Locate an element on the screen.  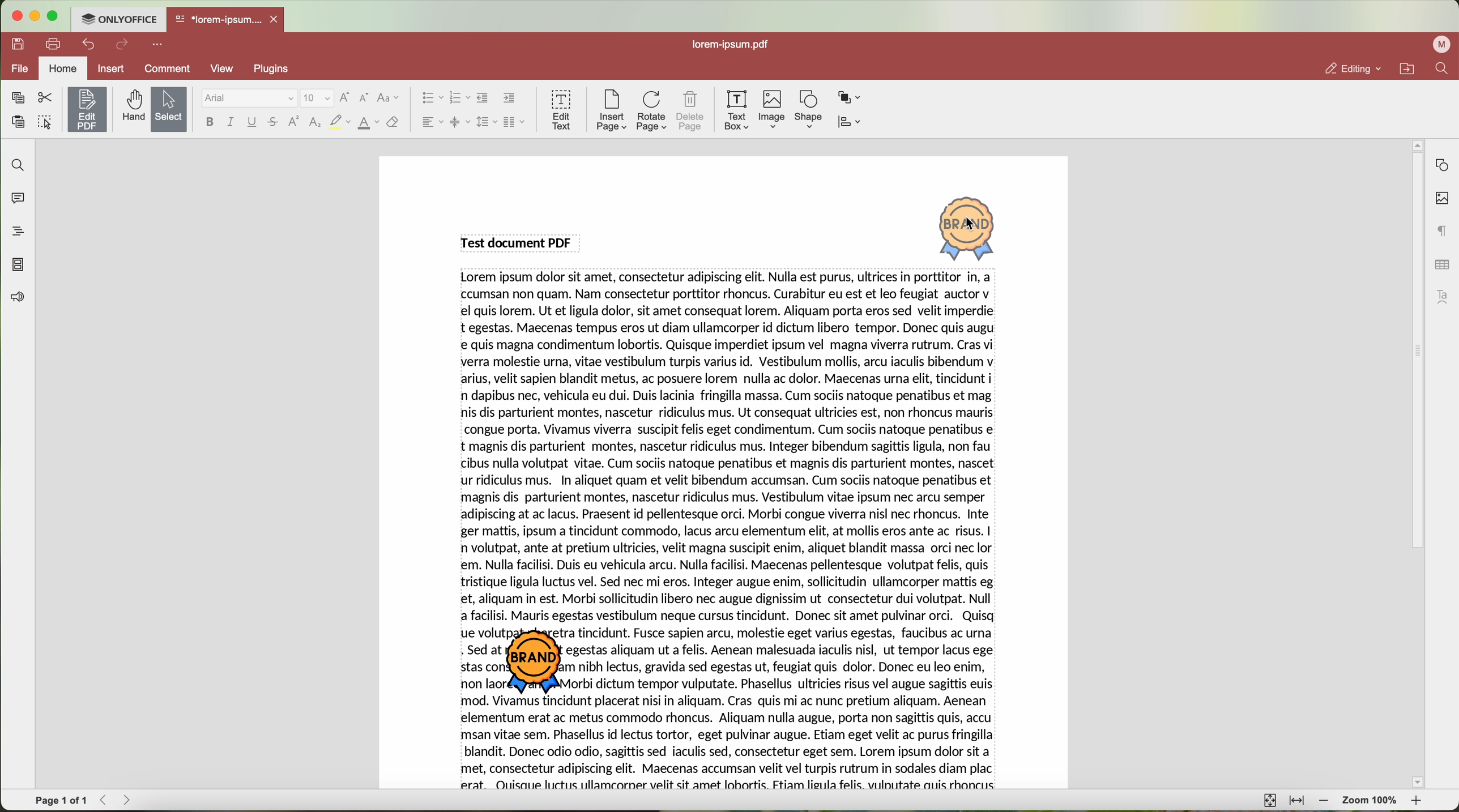
increase indent is located at coordinates (510, 97).